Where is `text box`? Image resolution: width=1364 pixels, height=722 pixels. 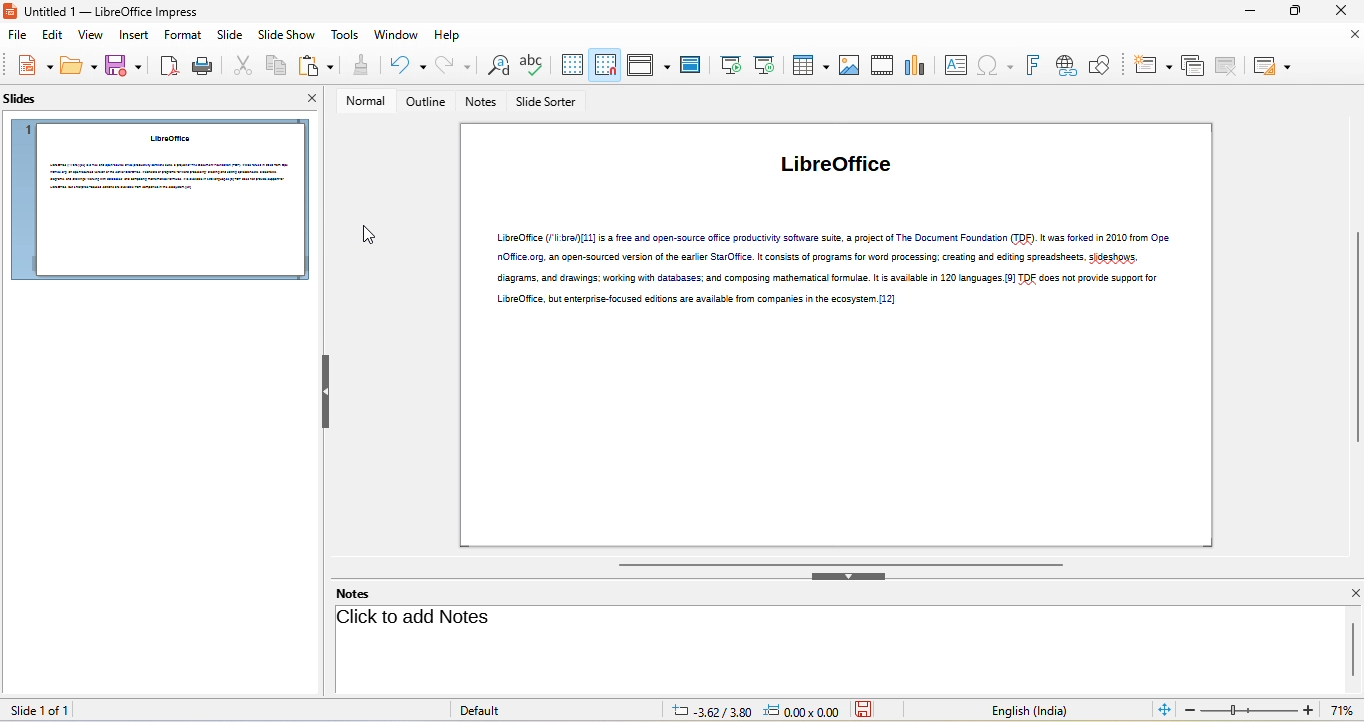
text box is located at coordinates (955, 67).